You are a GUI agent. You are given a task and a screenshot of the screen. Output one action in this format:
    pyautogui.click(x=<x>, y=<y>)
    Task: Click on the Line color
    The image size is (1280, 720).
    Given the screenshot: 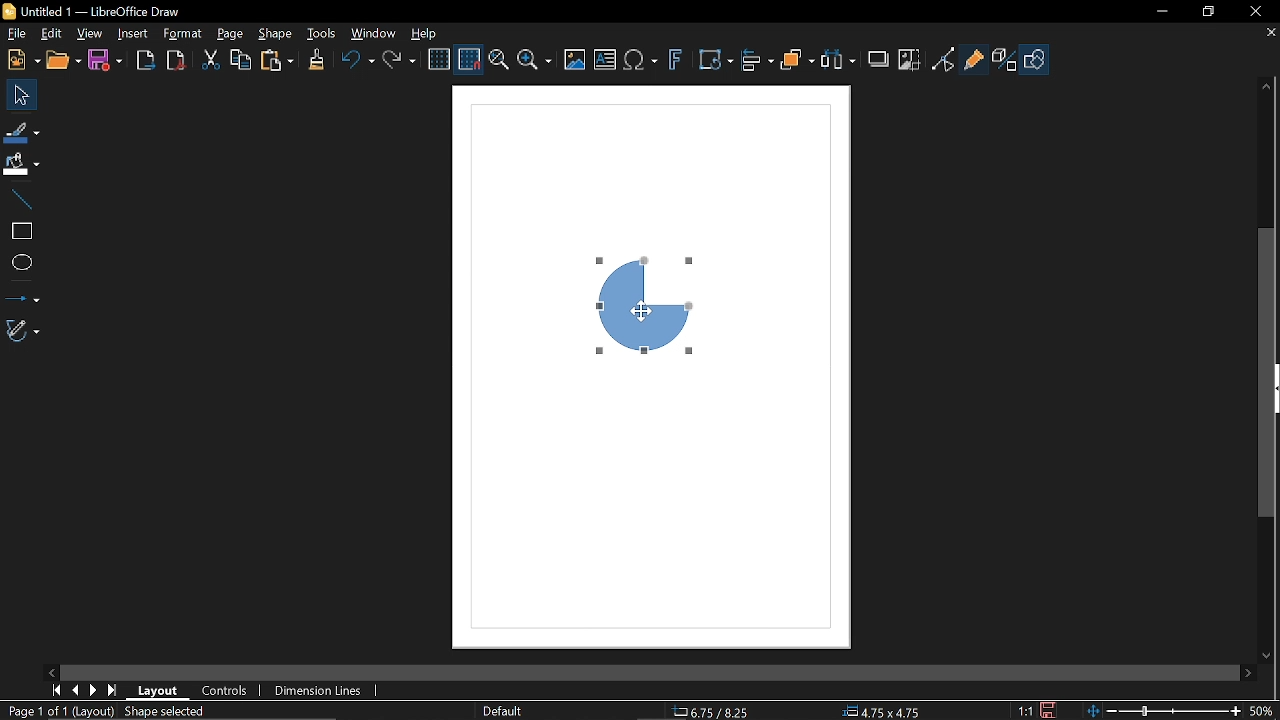 What is the action you would take?
    pyautogui.click(x=22, y=131)
    